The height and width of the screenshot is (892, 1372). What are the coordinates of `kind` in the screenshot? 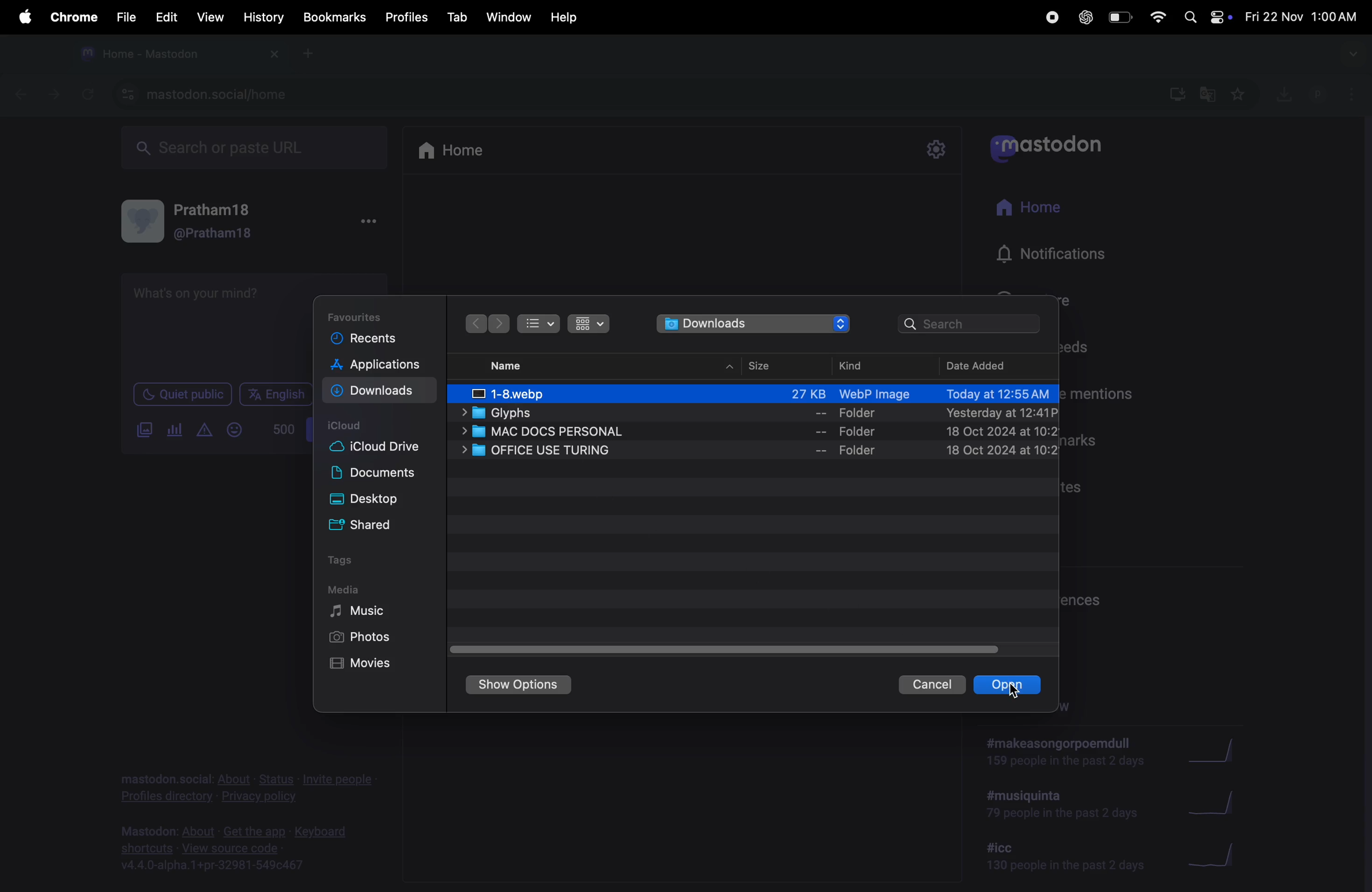 It's located at (860, 364).